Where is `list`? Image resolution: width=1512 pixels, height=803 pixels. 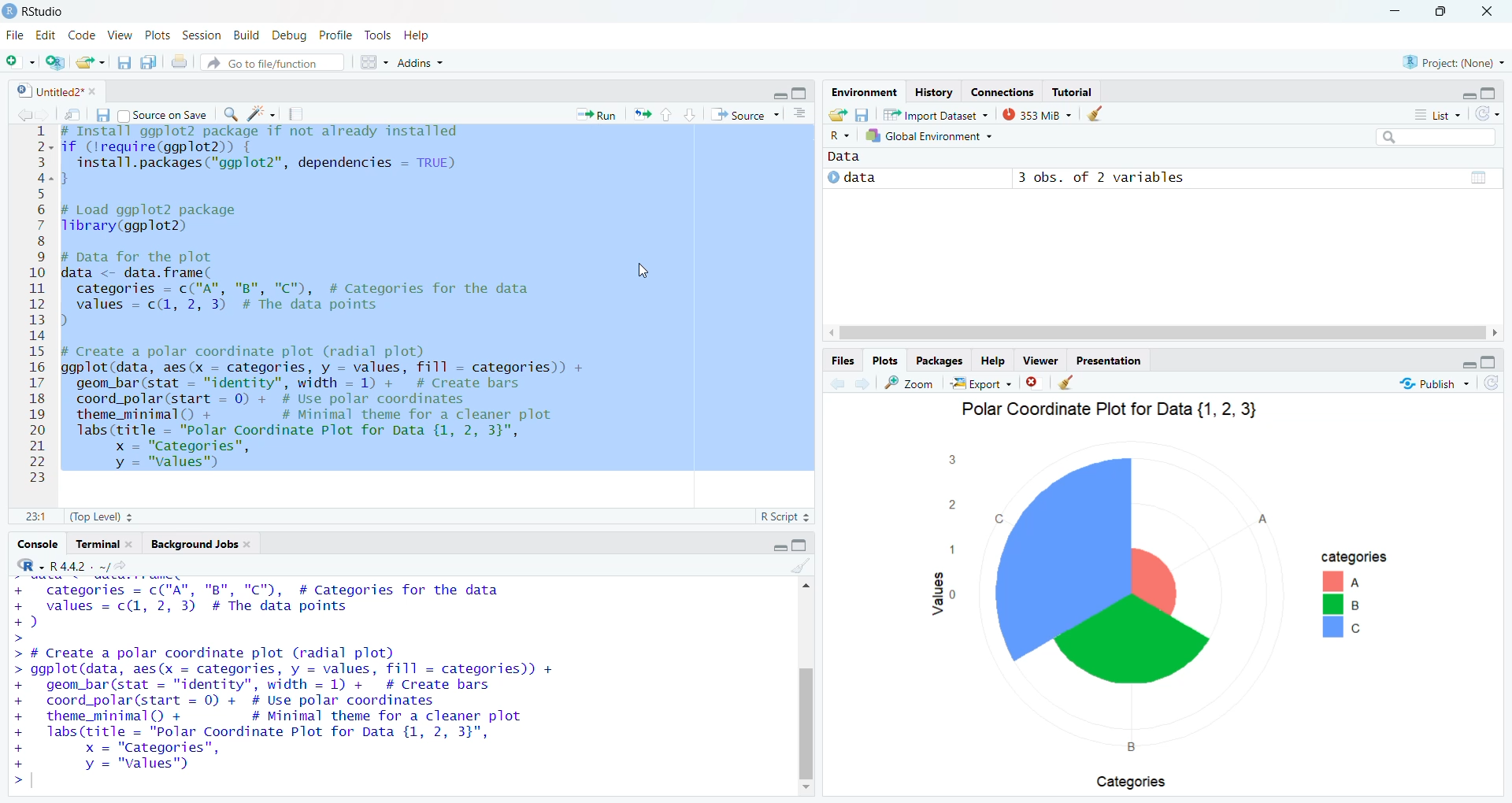
list is located at coordinates (1435, 113).